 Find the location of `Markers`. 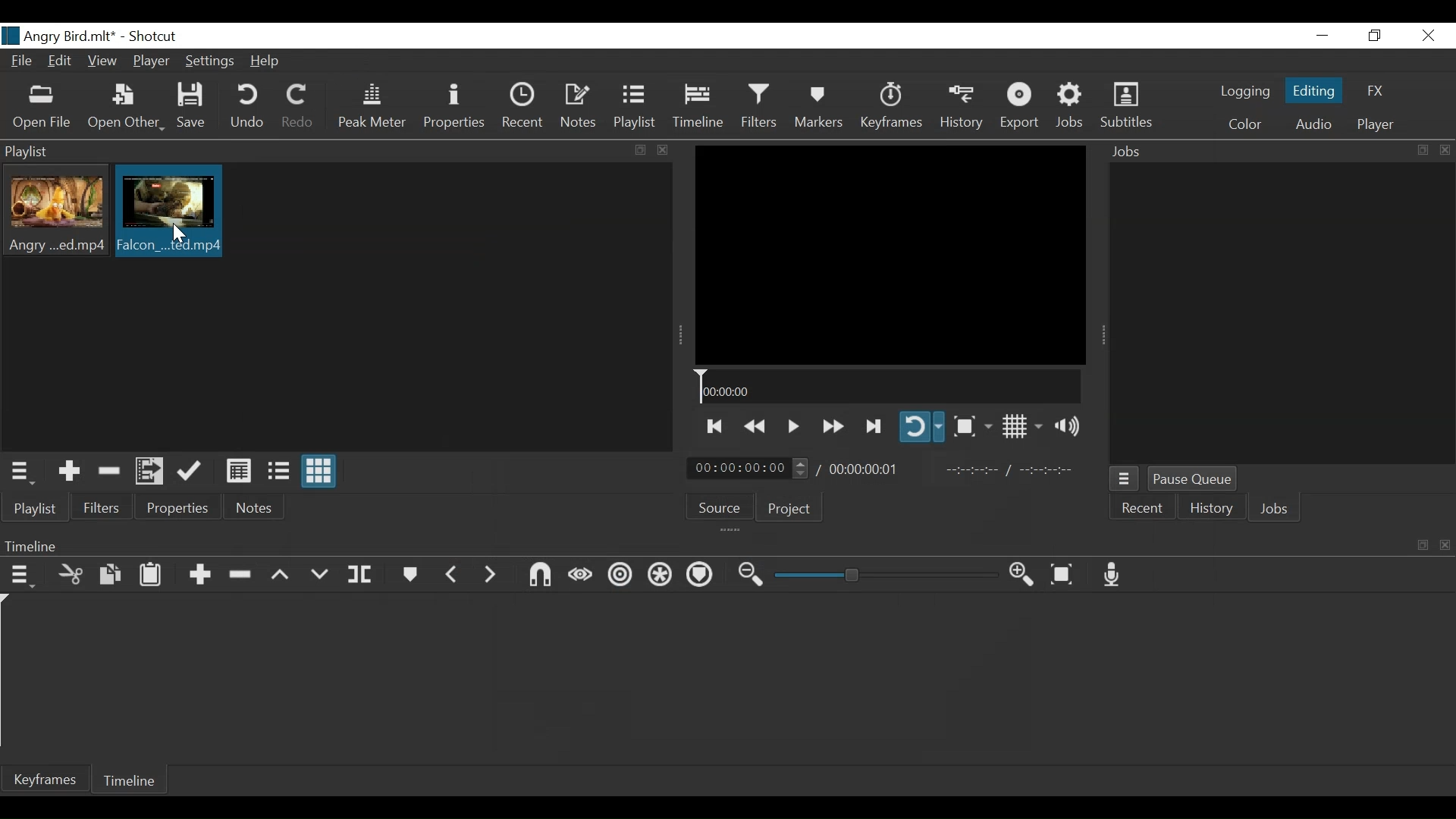

Markers is located at coordinates (409, 575).